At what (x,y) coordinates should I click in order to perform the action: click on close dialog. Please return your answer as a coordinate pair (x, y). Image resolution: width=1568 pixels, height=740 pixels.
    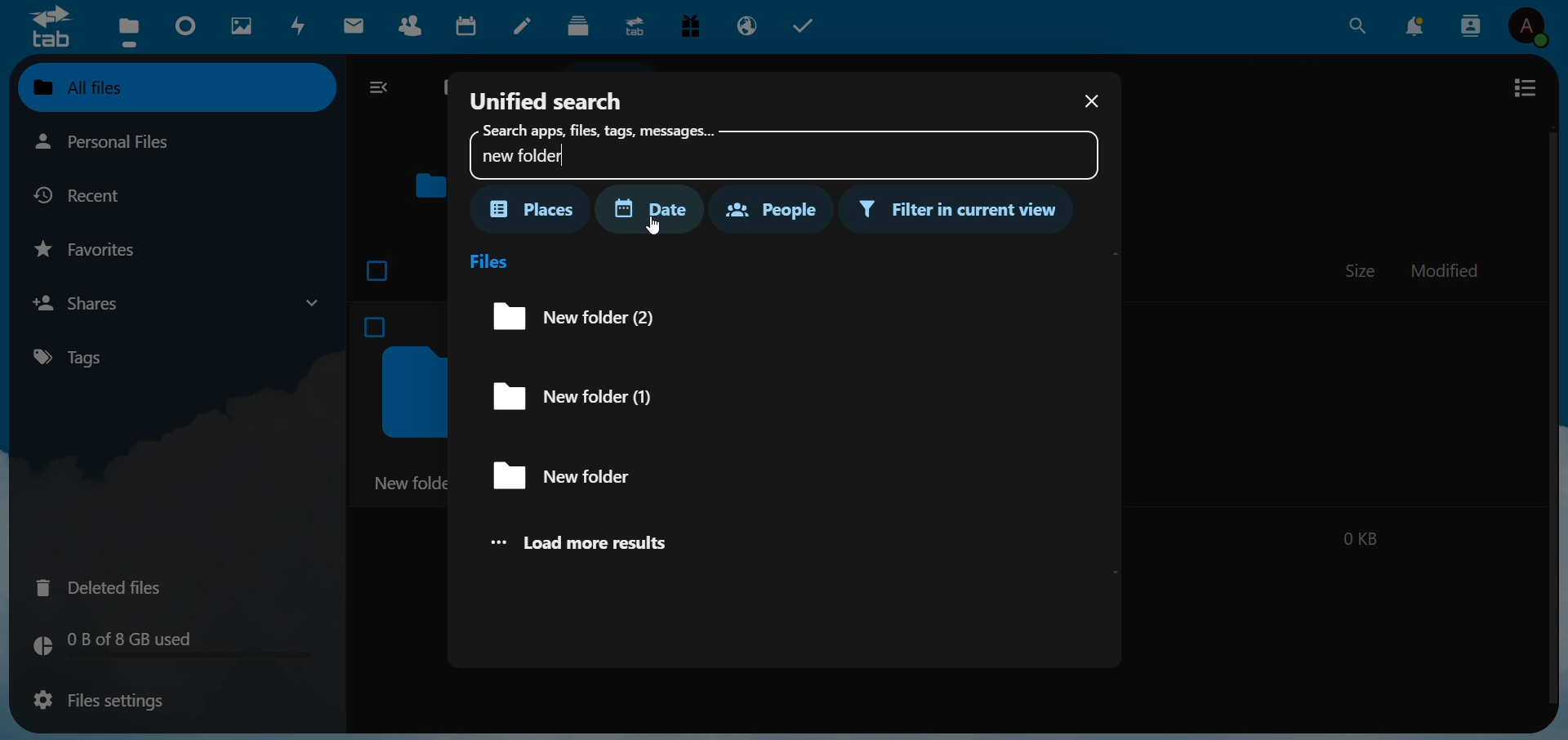
    Looking at the image, I should click on (1089, 103).